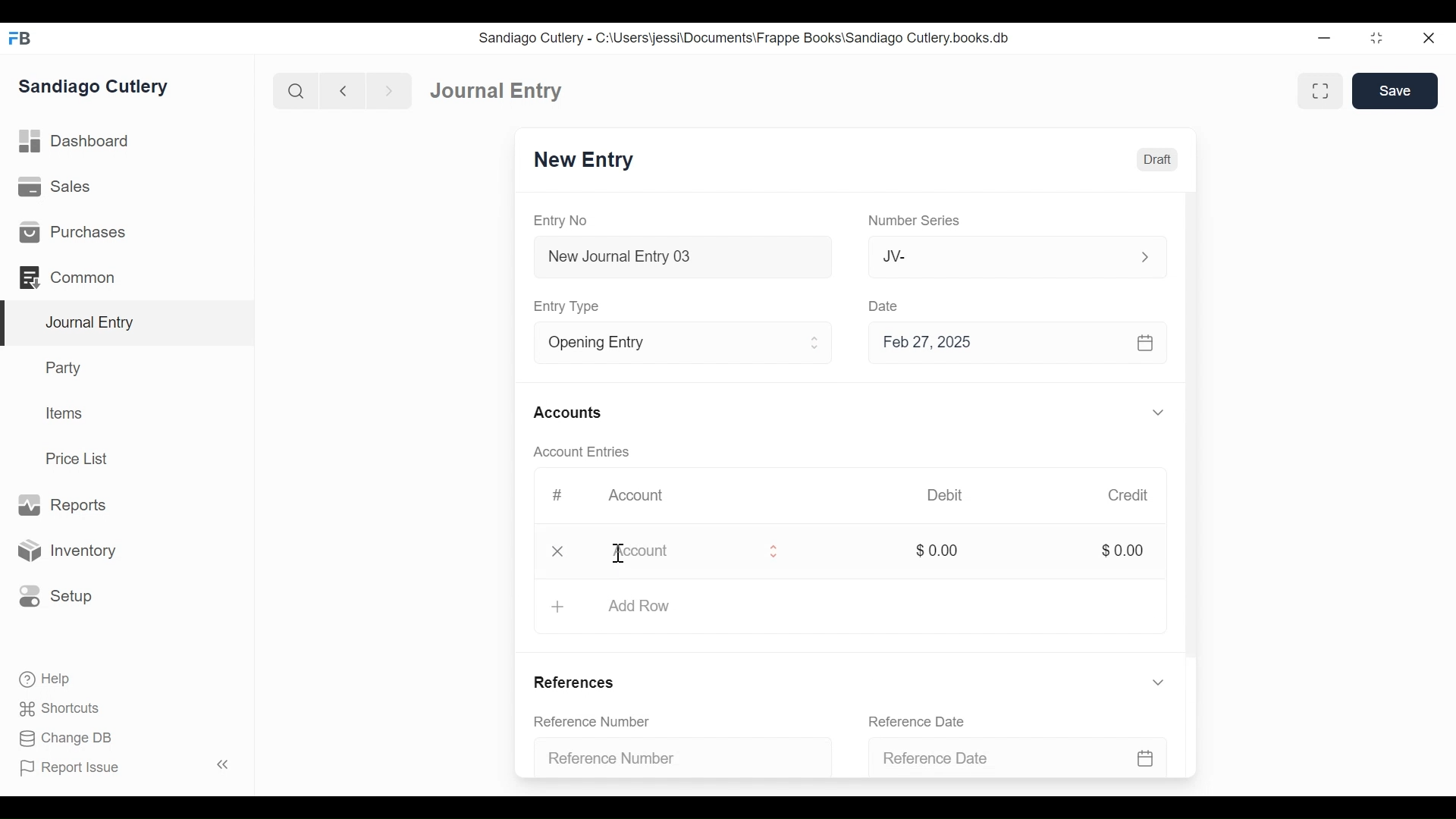 The width and height of the screenshot is (1456, 819). Describe the element at coordinates (592, 723) in the screenshot. I see `Reference Number` at that location.